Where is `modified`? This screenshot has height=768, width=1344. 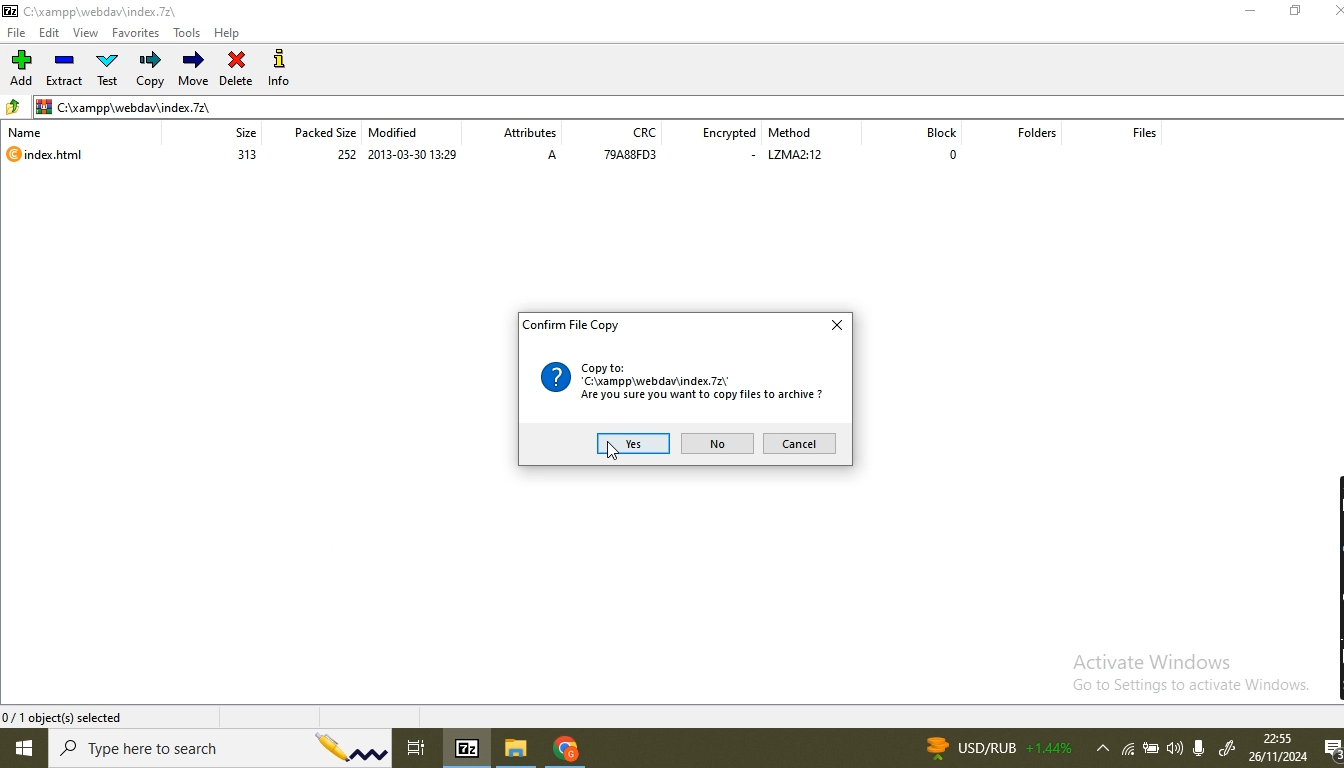 modified is located at coordinates (401, 131).